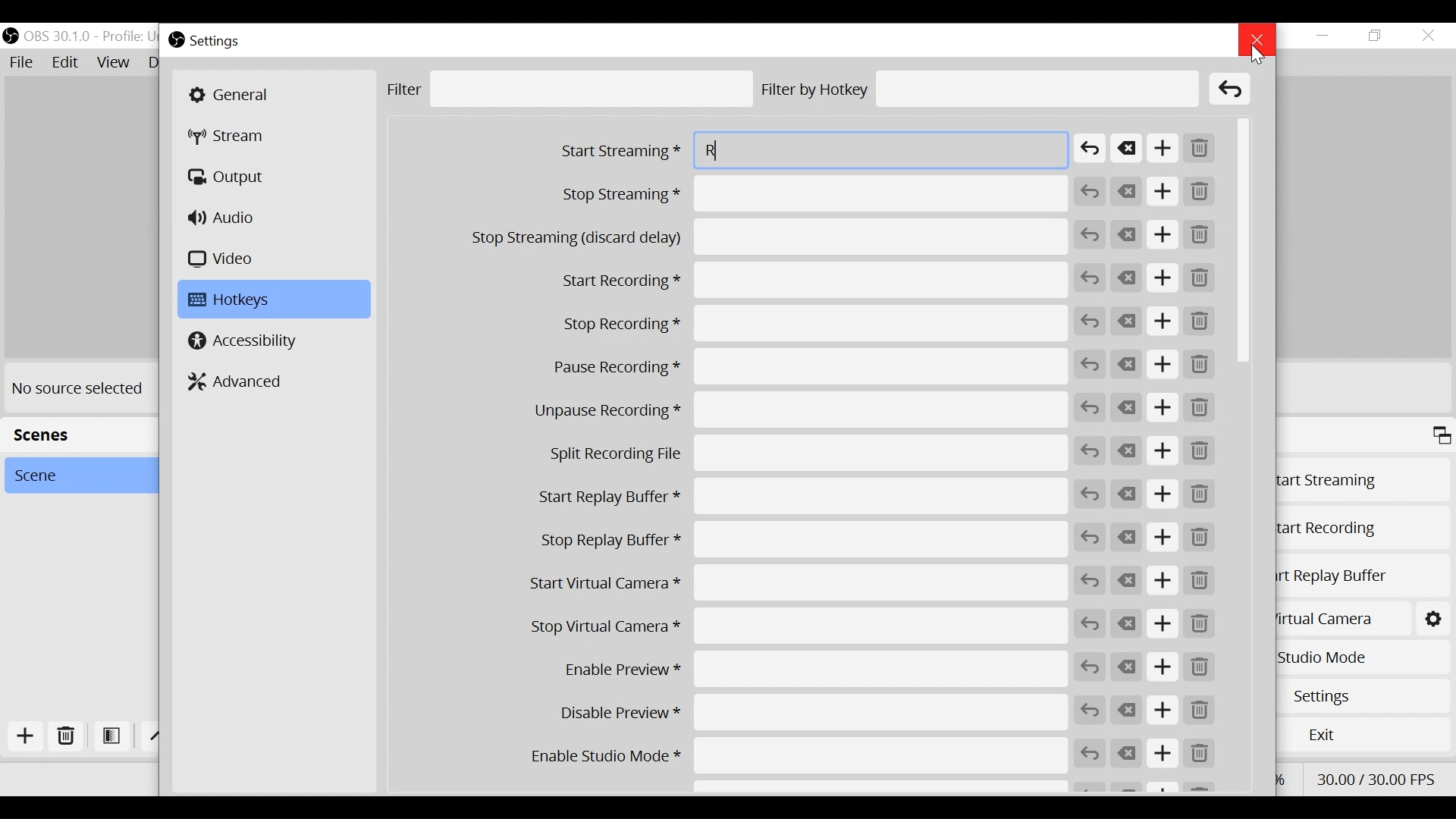 The width and height of the screenshot is (1456, 819). What do you see at coordinates (275, 299) in the screenshot?
I see `Hotkeys` at bounding box center [275, 299].